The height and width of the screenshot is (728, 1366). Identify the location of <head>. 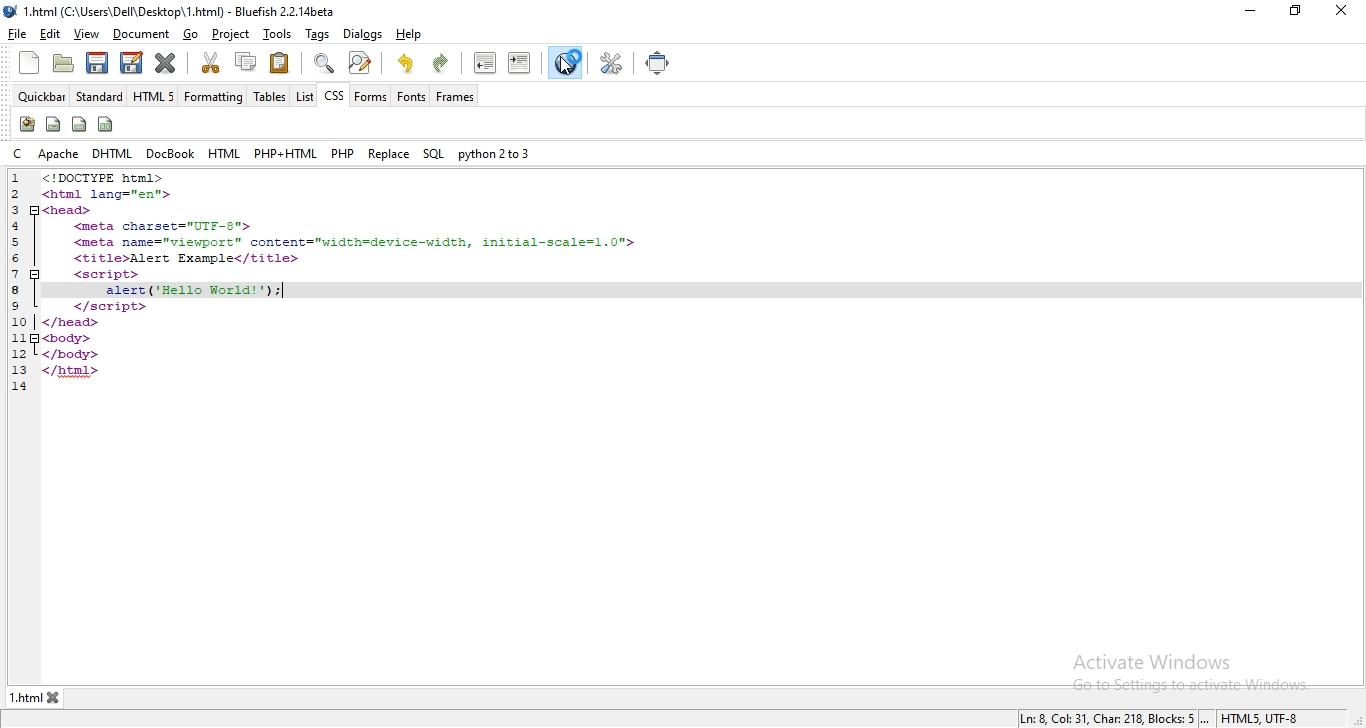
(69, 209).